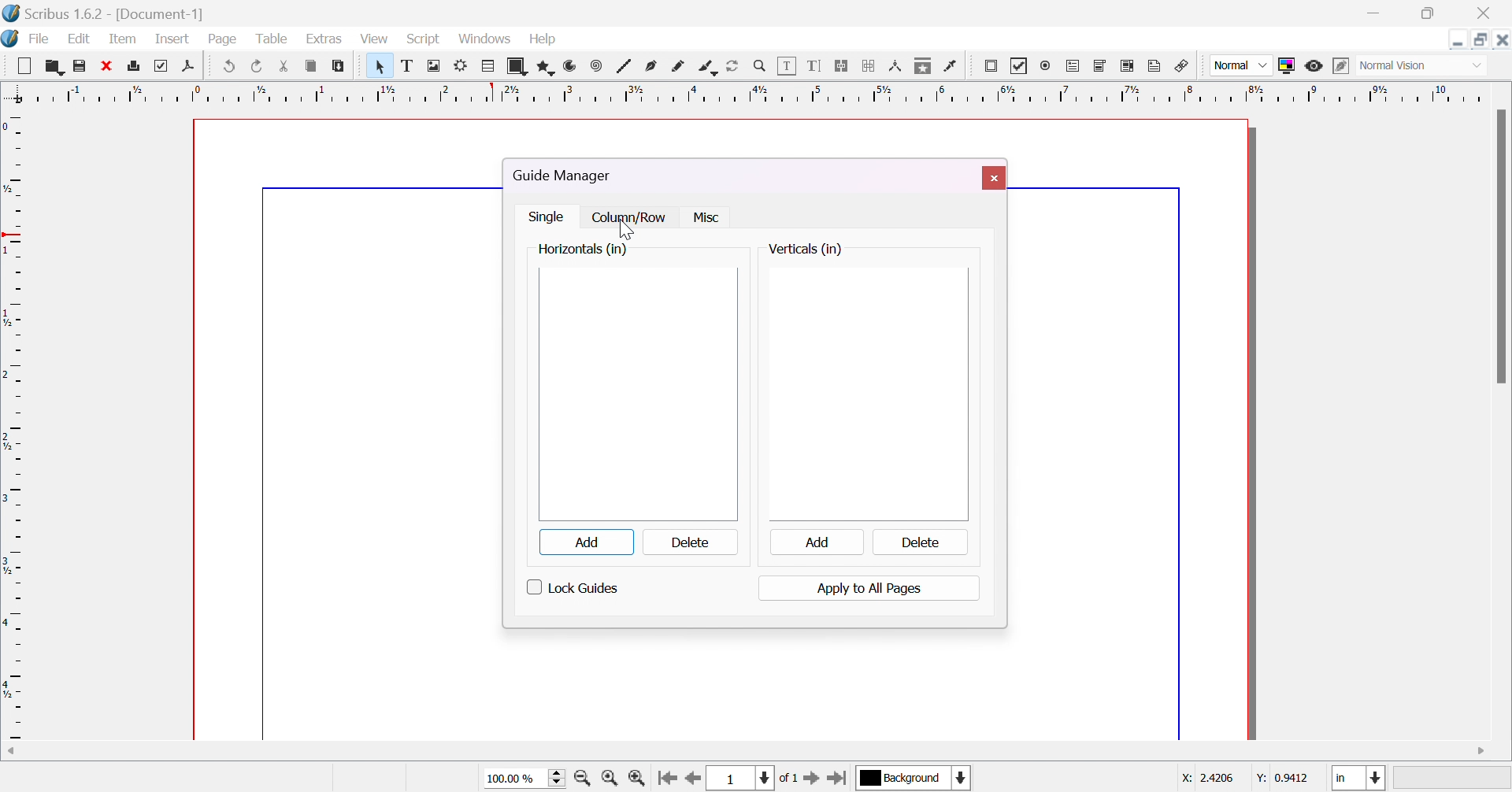 The width and height of the screenshot is (1512, 792). I want to click on Minimize, so click(1458, 39).